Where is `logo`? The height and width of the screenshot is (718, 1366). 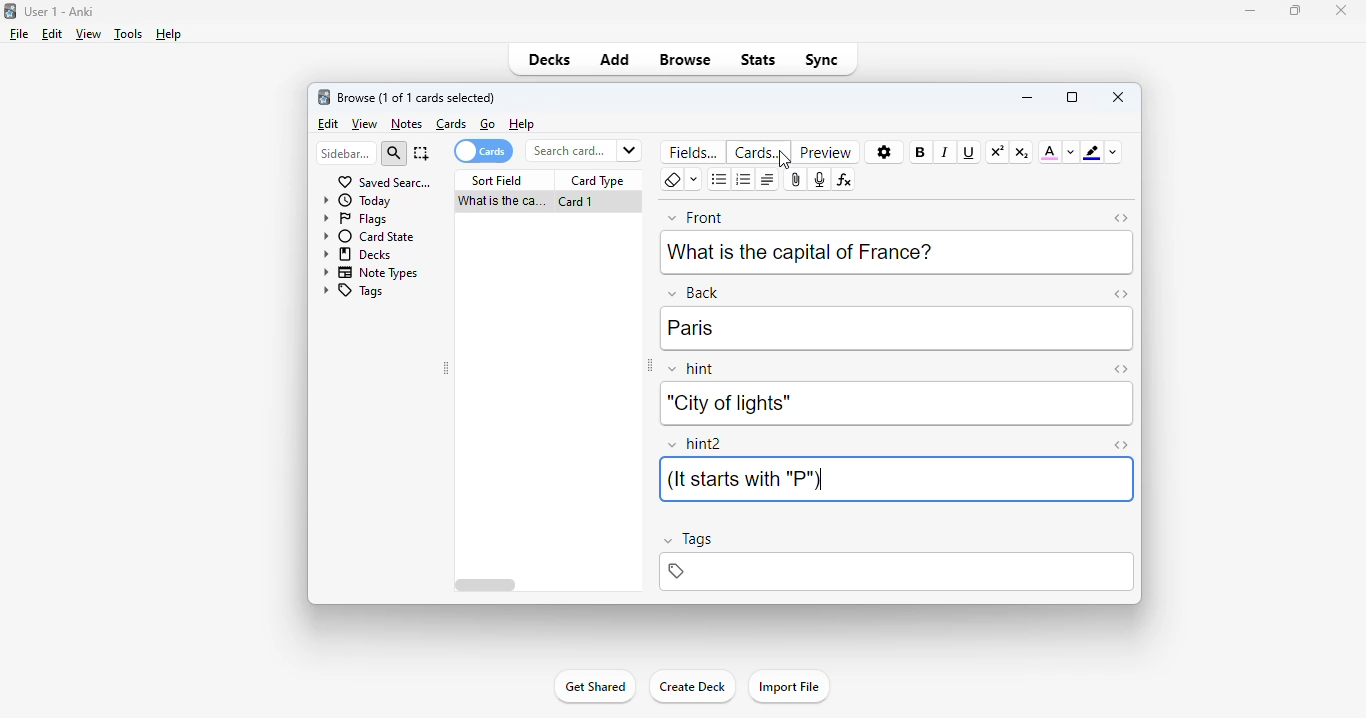
logo is located at coordinates (9, 10).